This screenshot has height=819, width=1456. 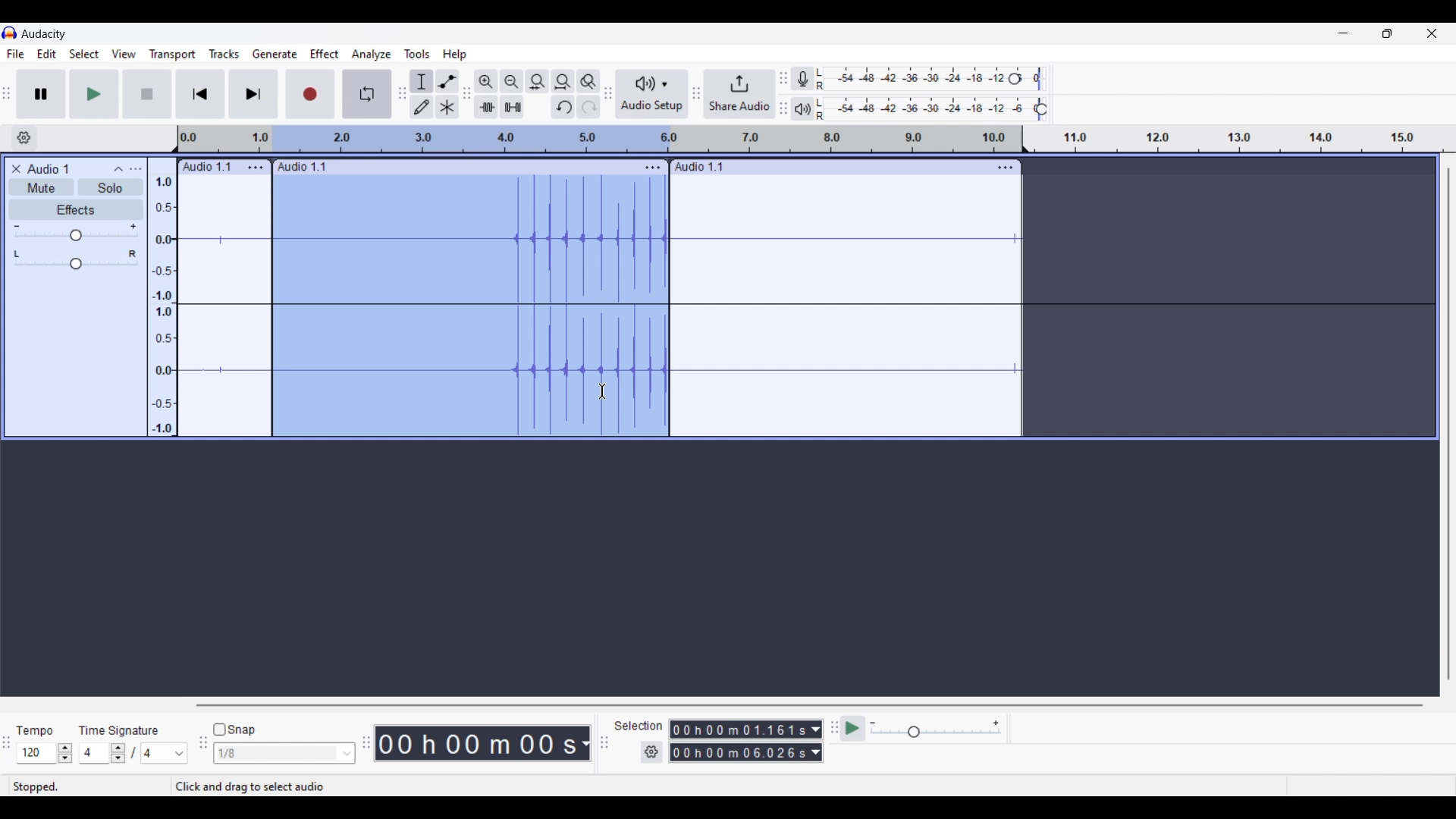 I want to click on Selected portion of audio has been reversed, so click(x=471, y=306).